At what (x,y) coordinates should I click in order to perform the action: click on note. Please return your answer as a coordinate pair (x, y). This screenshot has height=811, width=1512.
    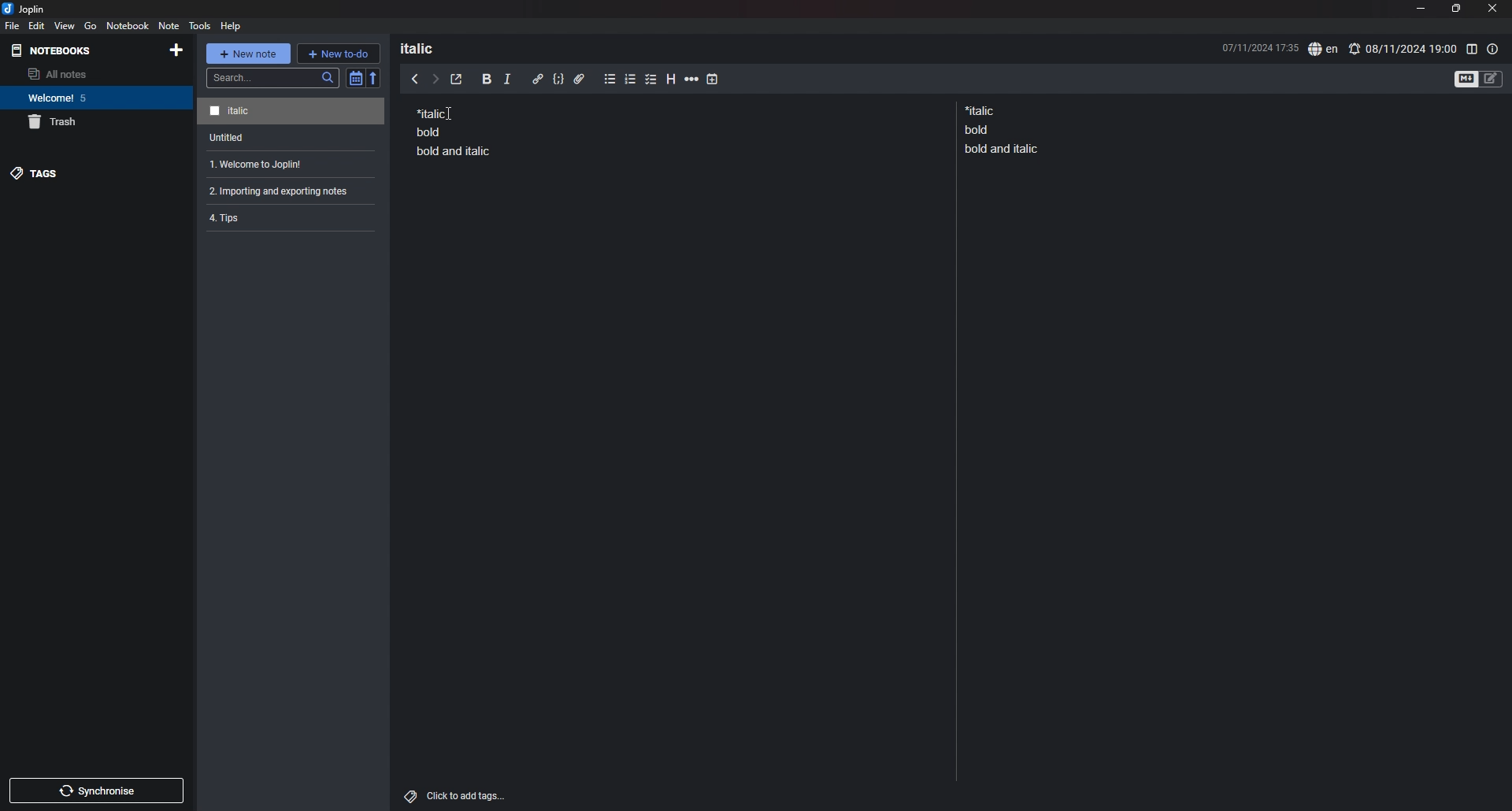
    Looking at the image, I should click on (284, 191).